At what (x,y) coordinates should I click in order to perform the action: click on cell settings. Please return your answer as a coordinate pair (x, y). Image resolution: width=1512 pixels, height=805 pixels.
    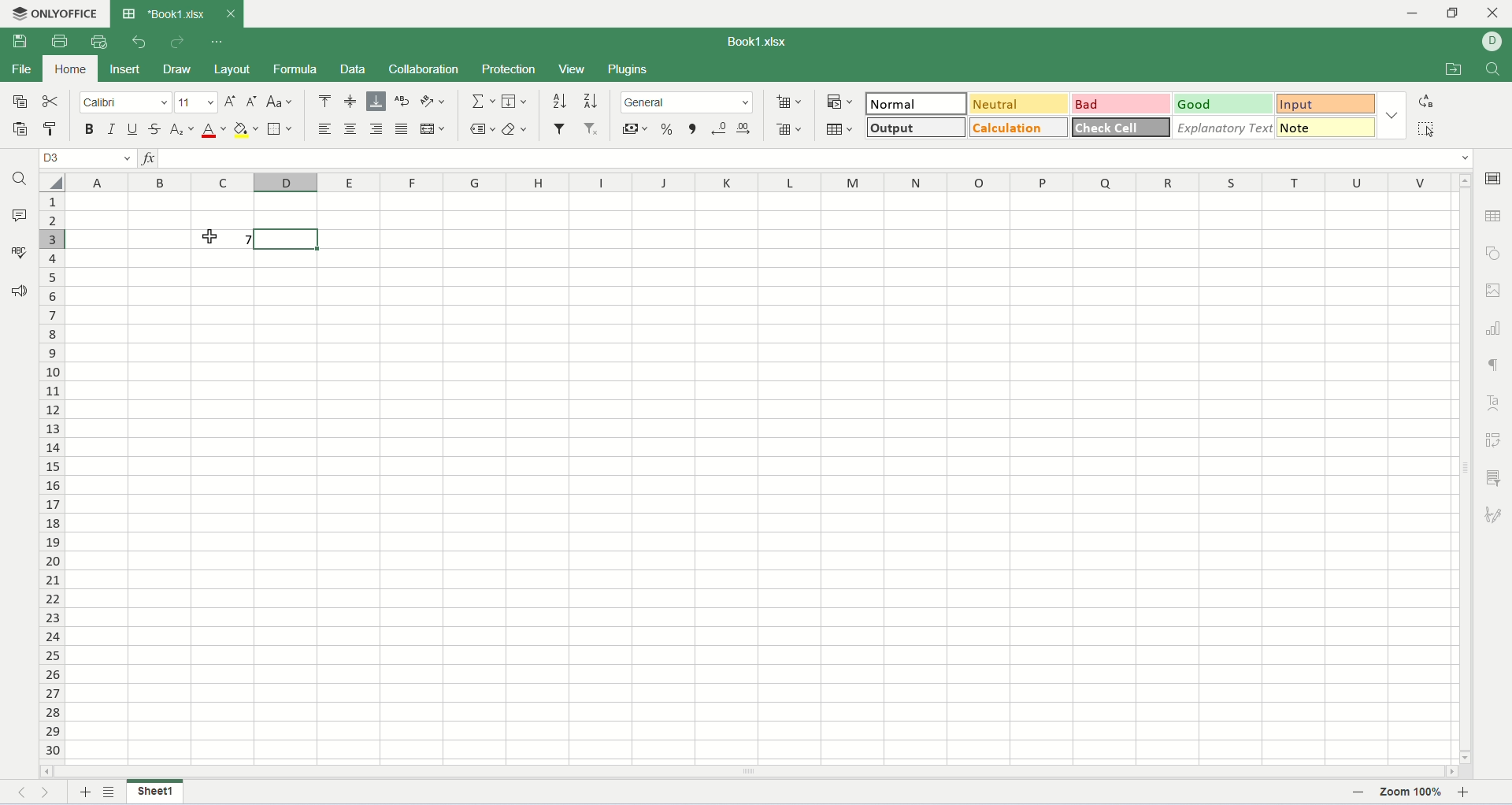
    Looking at the image, I should click on (1496, 176).